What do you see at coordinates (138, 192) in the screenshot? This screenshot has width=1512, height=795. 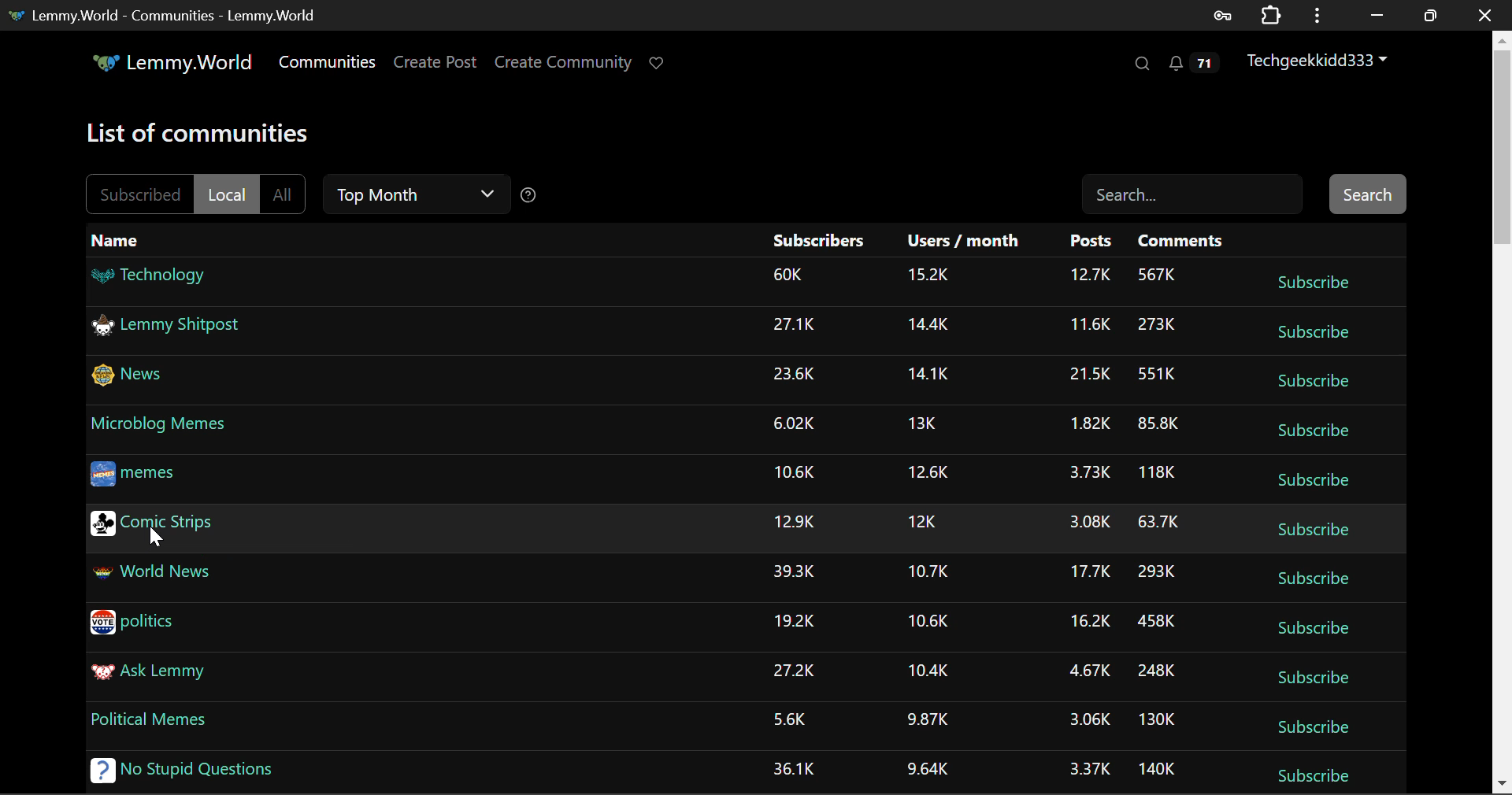 I see `Subscribed` at bounding box center [138, 192].